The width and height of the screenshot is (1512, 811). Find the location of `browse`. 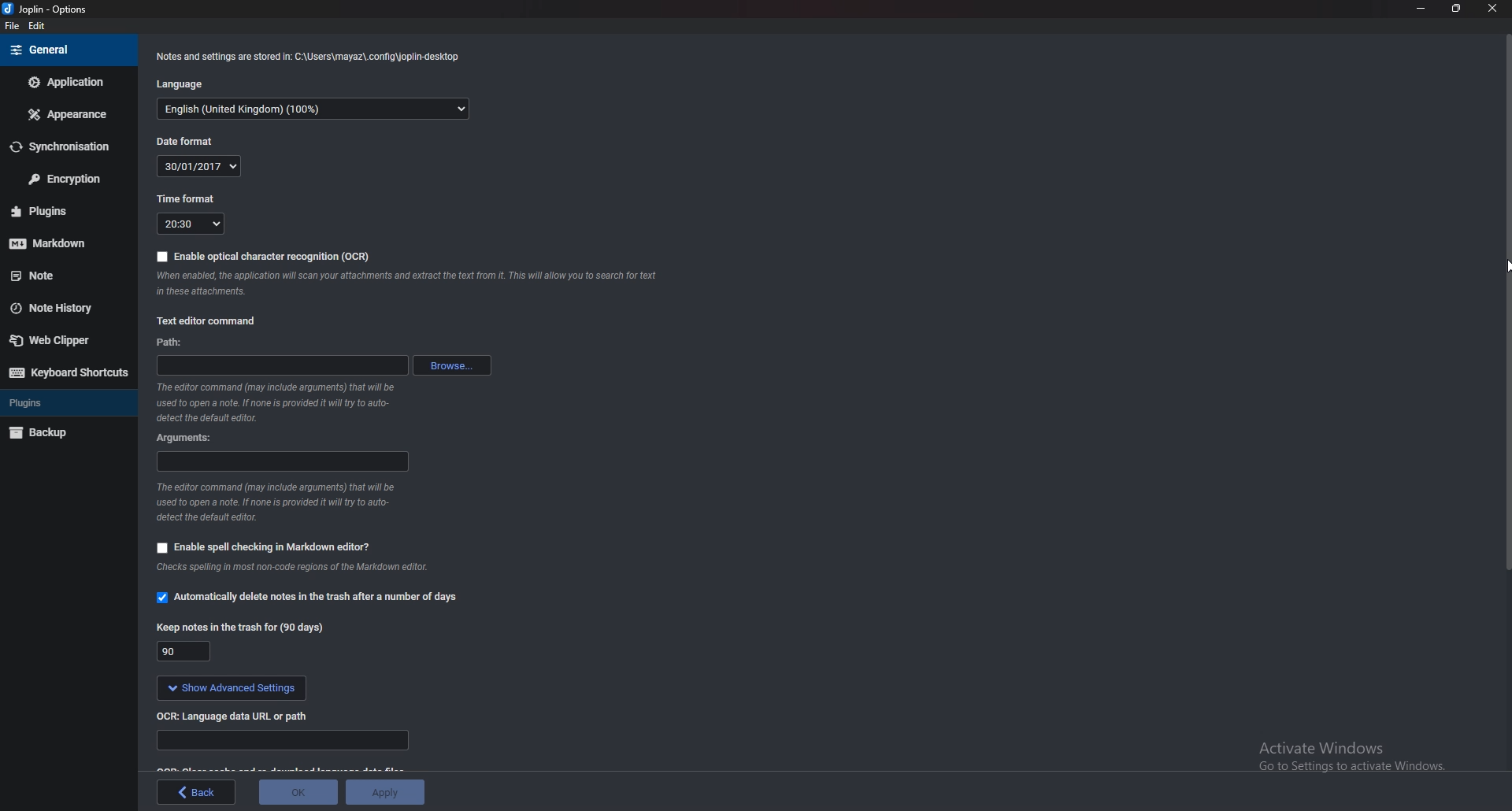

browse is located at coordinates (452, 366).